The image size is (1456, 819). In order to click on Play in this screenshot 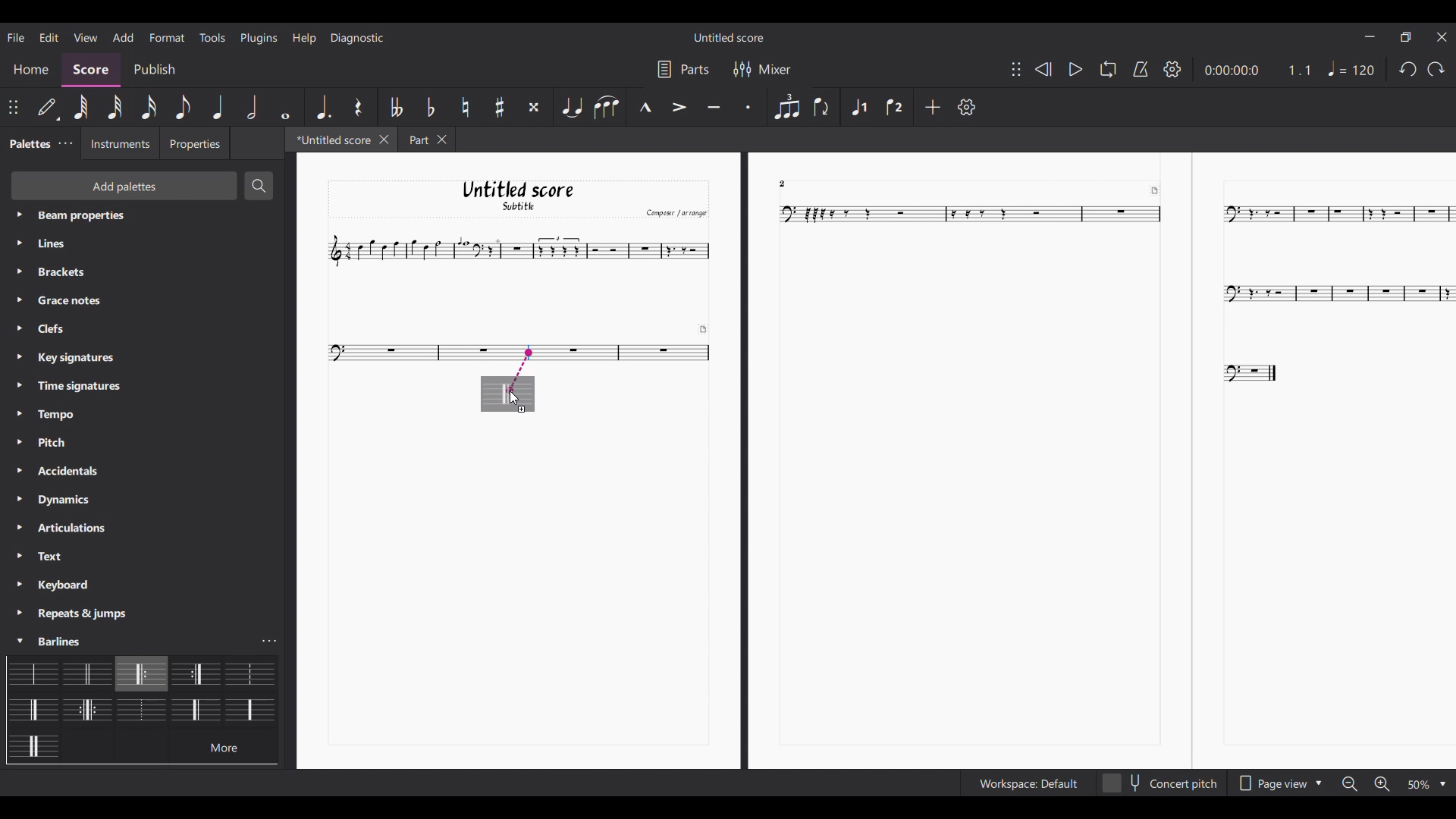, I will do `click(1075, 69)`.